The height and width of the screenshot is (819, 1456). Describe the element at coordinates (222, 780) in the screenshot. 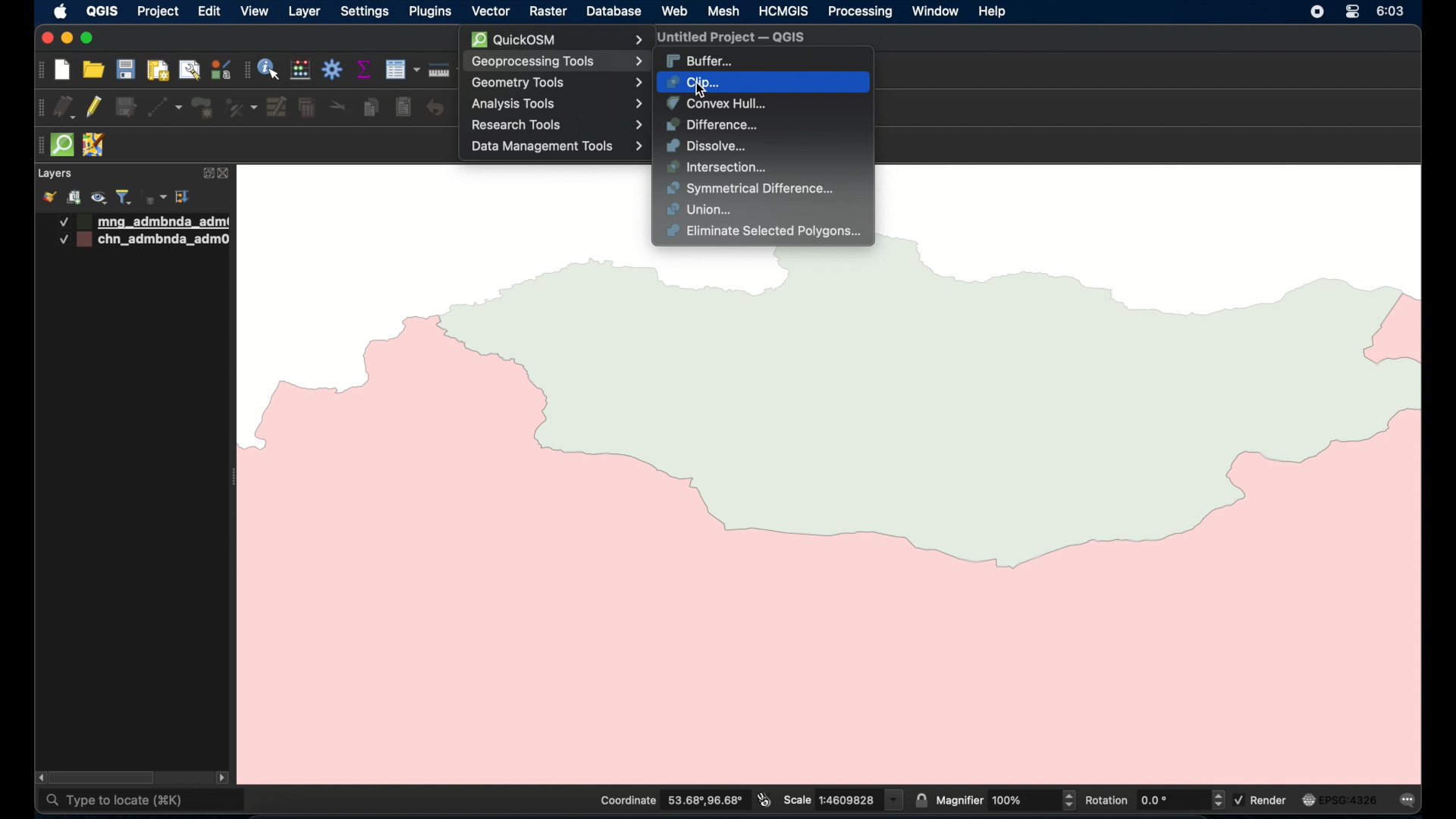

I see `scroll right` at that location.